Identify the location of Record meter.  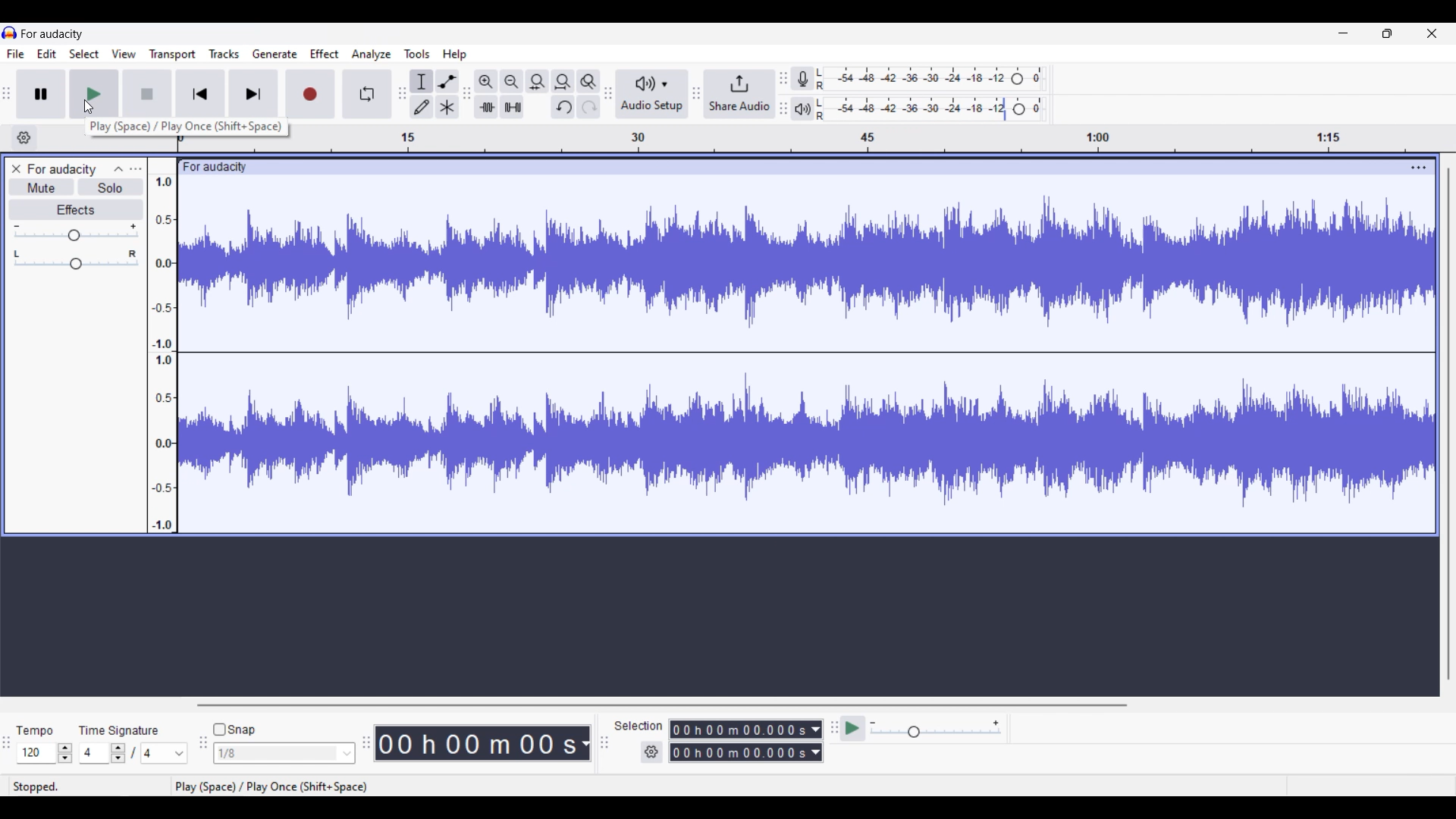
(802, 78).